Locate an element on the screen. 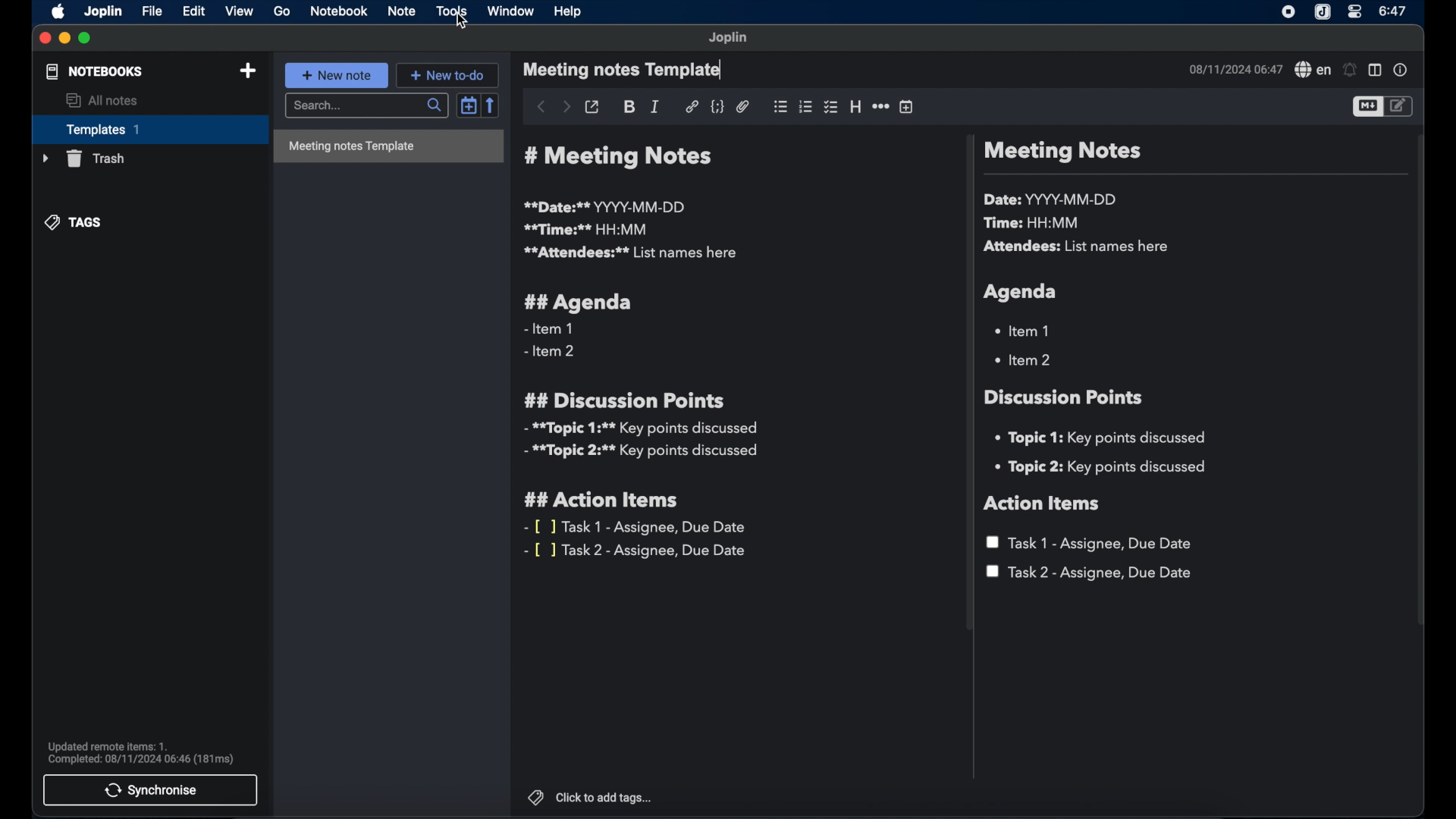 This screenshot has height=819, width=1456. **time:** HH:MM is located at coordinates (586, 229).